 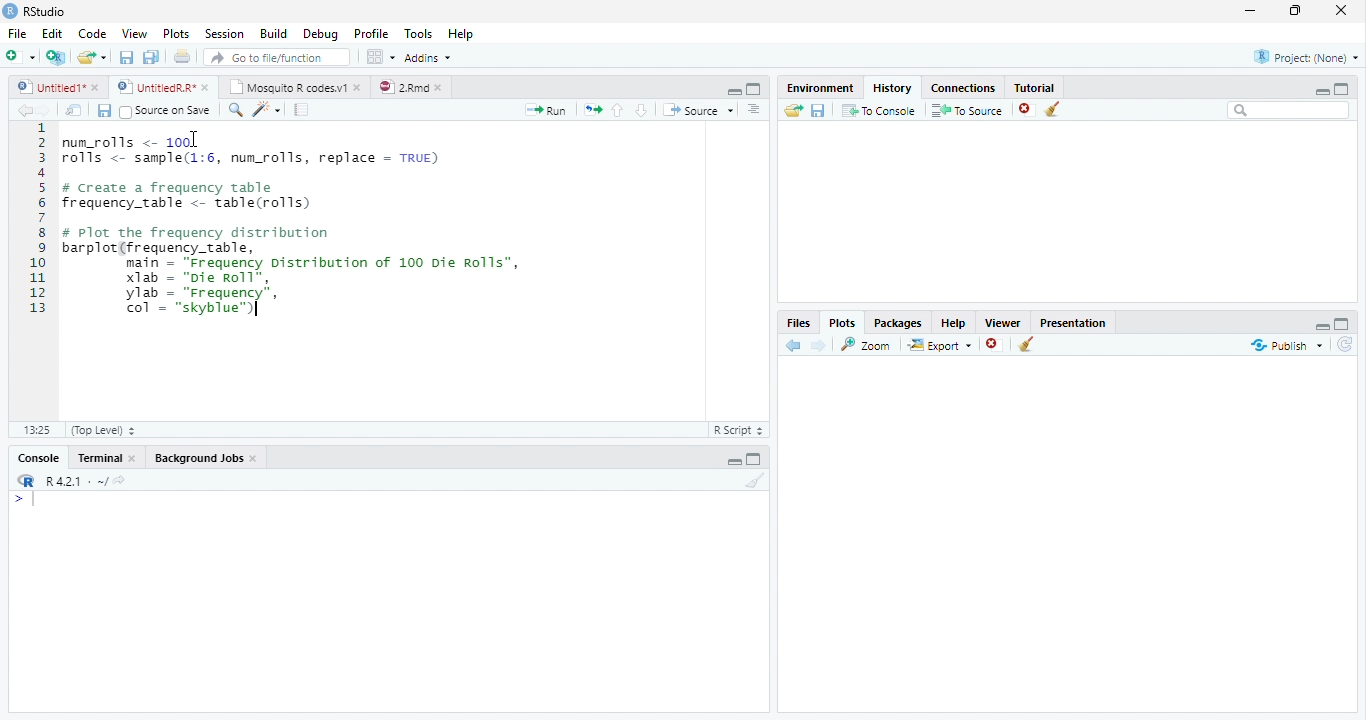 What do you see at coordinates (1284, 346) in the screenshot?
I see `Publish` at bounding box center [1284, 346].